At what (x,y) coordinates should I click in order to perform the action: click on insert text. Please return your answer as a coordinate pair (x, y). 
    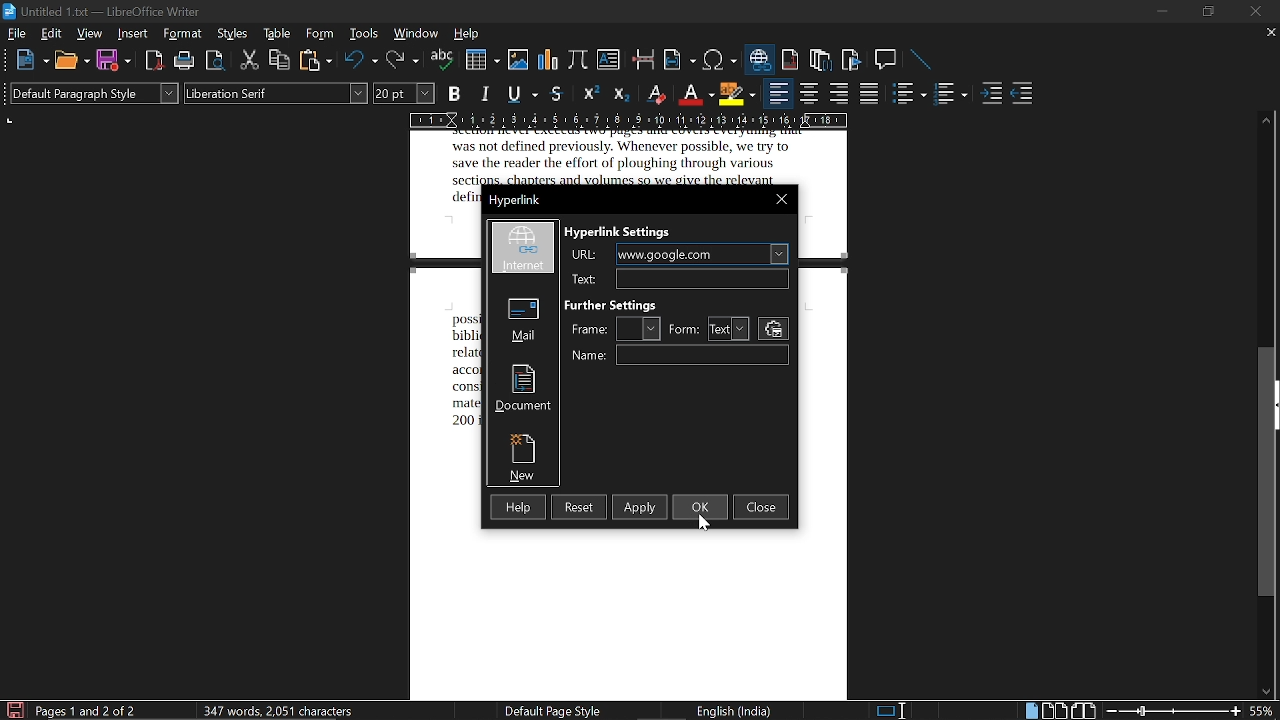
    Looking at the image, I should click on (608, 62).